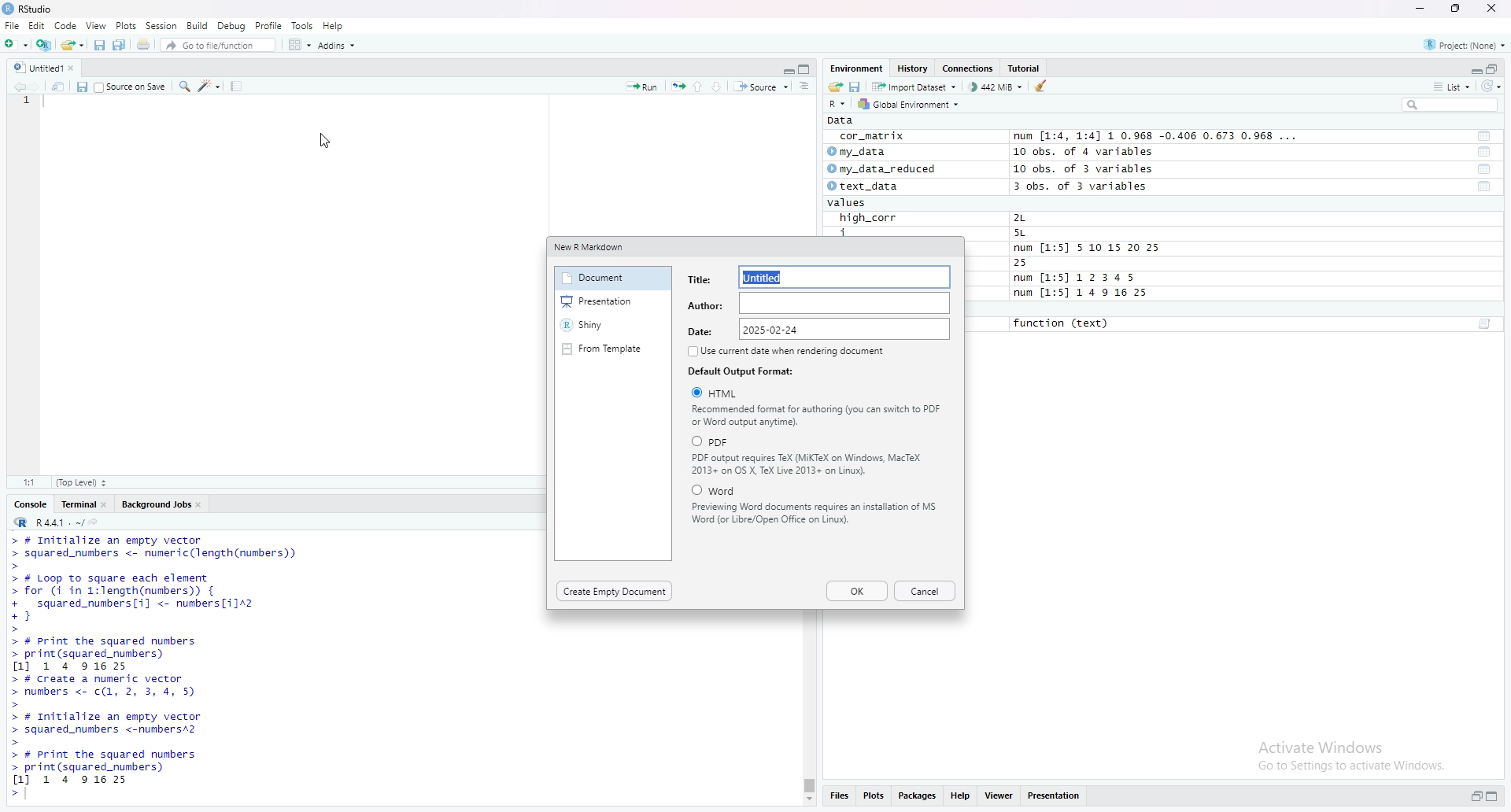  I want to click on Close, so click(76, 66).